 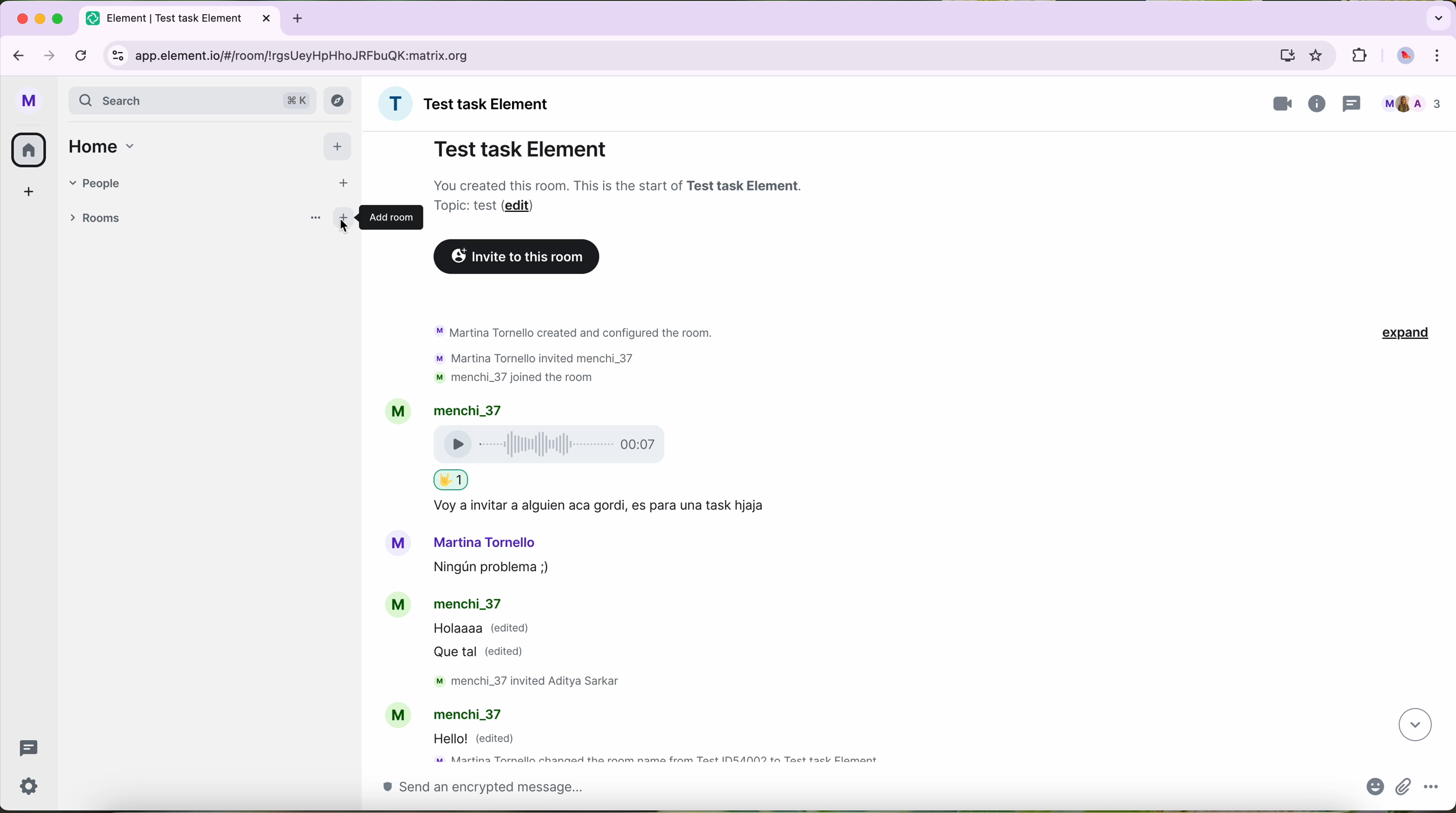 I want to click on note, so click(x=621, y=194).